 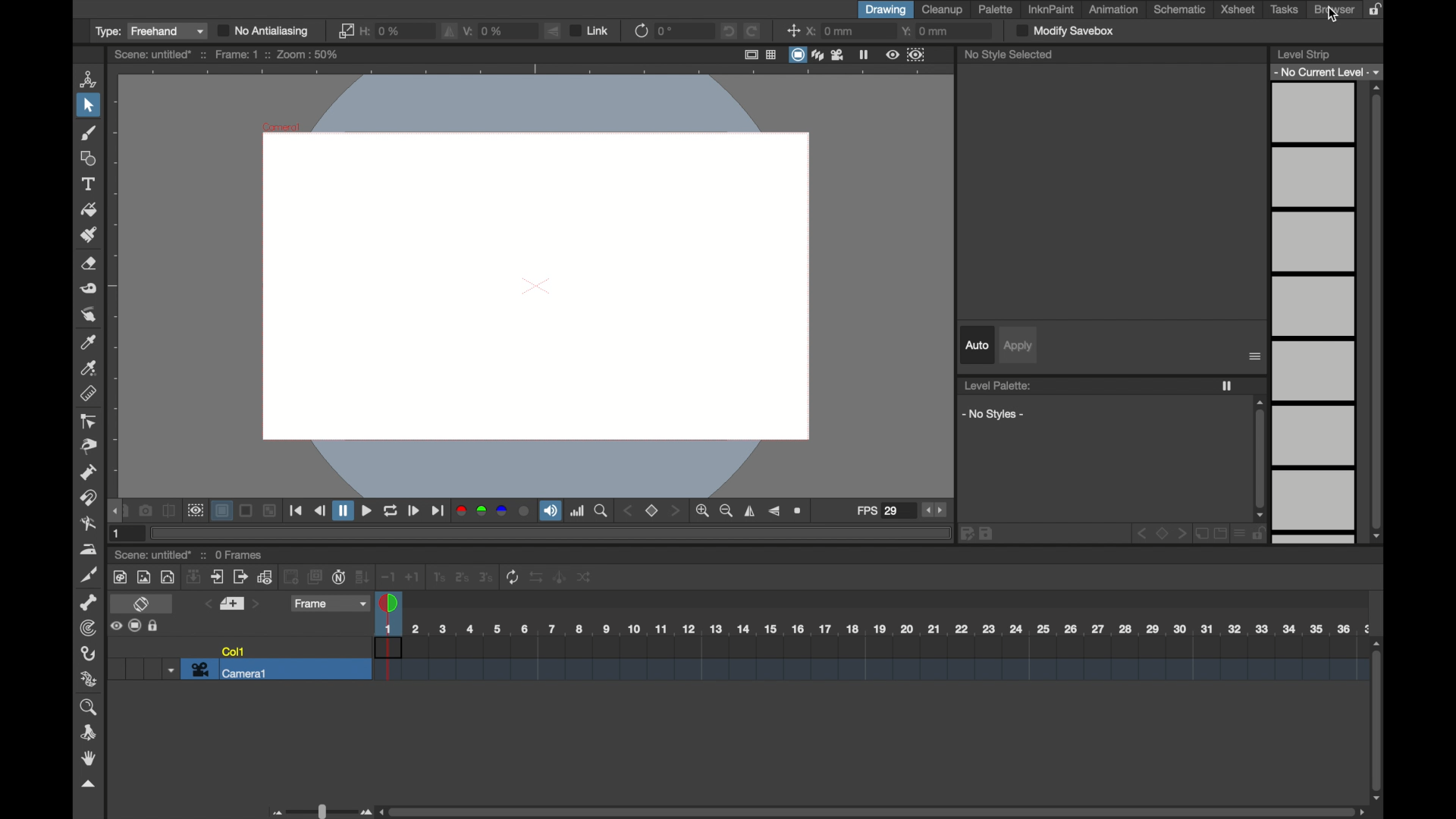 What do you see at coordinates (877, 510) in the screenshot?
I see `fps` at bounding box center [877, 510].